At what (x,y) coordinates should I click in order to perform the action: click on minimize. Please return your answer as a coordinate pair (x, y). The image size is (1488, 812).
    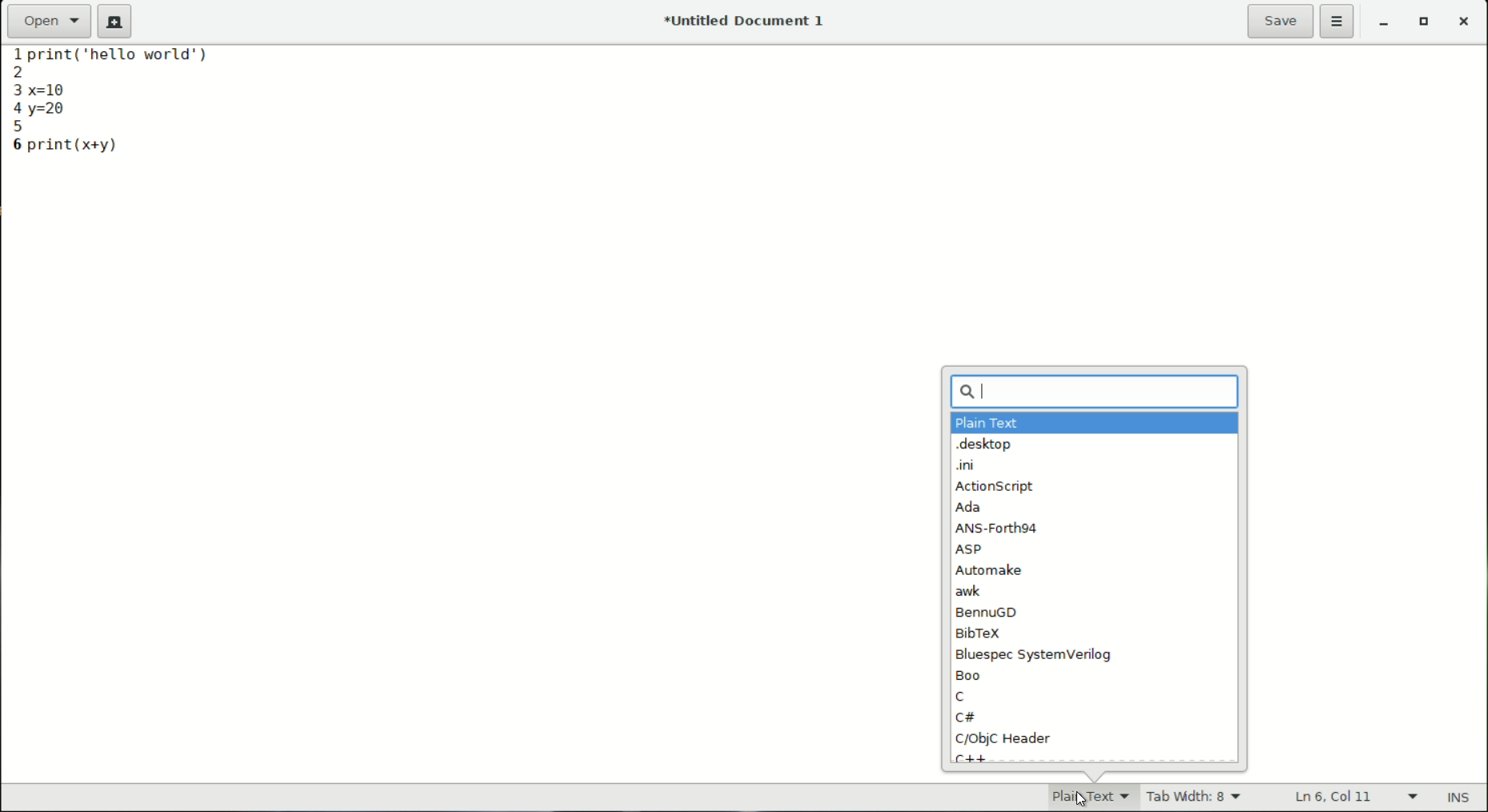
    Looking at the image, I should click on (1385, 24).